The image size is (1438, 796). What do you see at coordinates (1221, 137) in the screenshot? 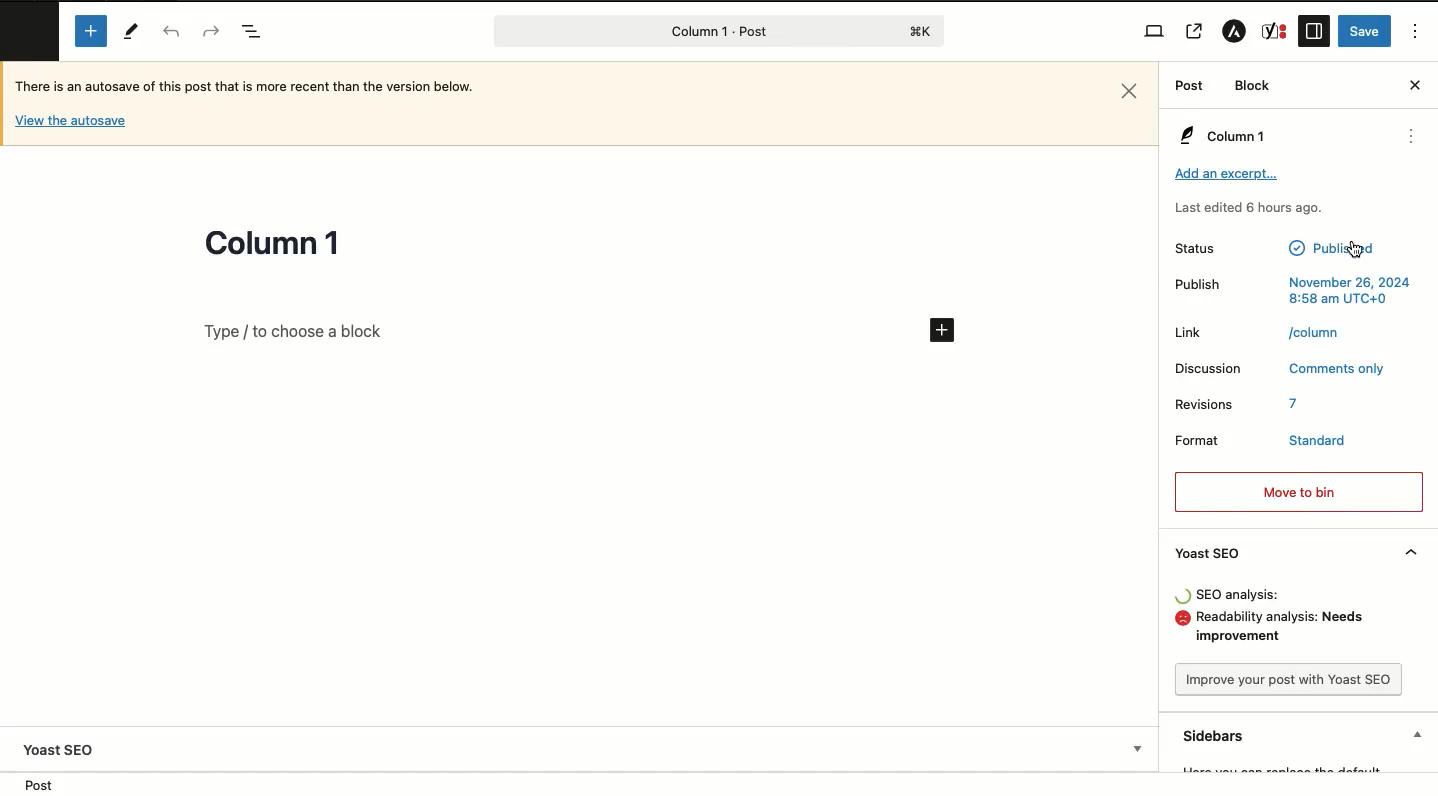
I see `Column` at bounding box center [1221, 137].